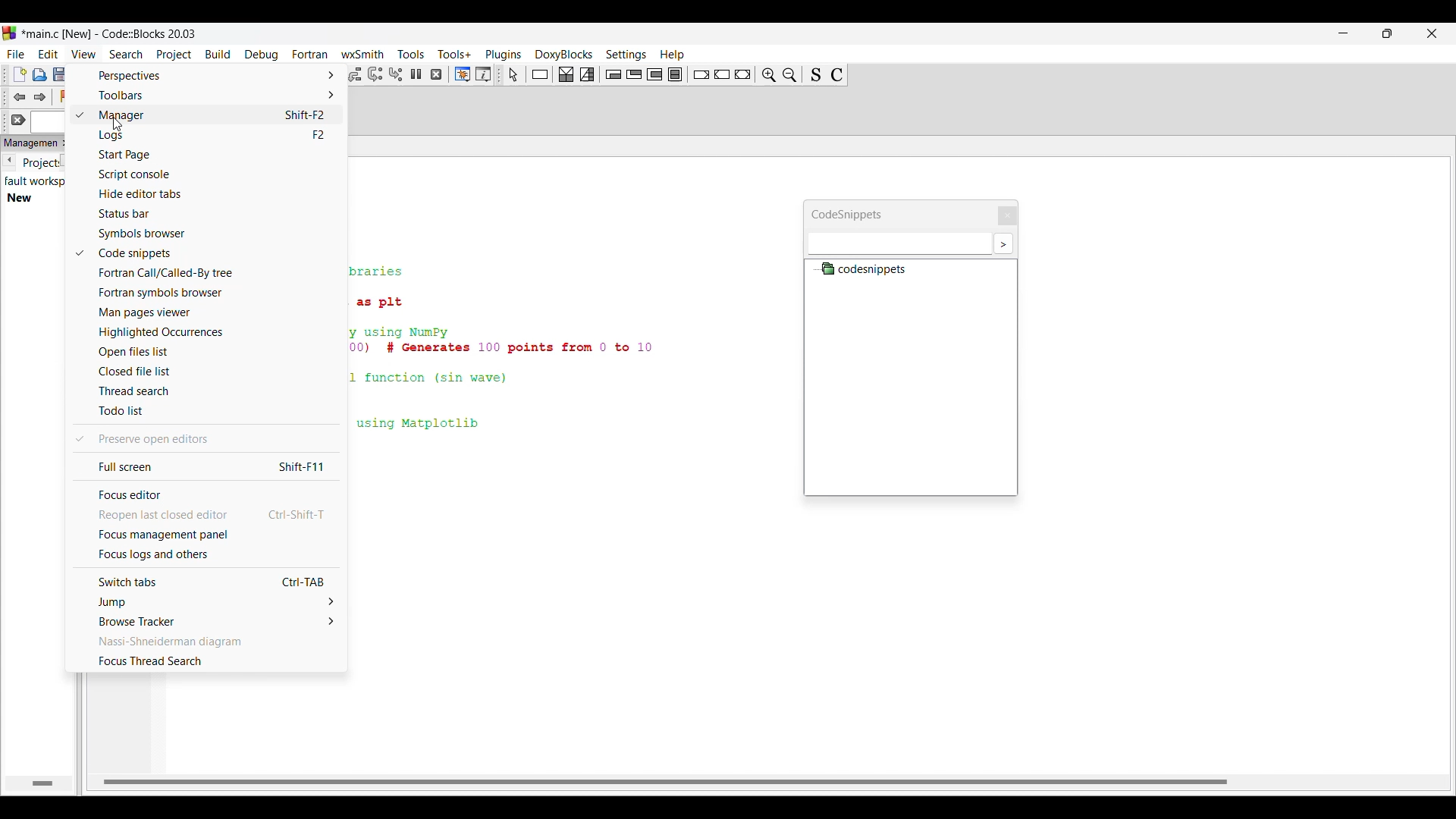 Image resolution: width=1456 pixels, height=819 pixels. I want to click on Panel title, so click(29, 143).